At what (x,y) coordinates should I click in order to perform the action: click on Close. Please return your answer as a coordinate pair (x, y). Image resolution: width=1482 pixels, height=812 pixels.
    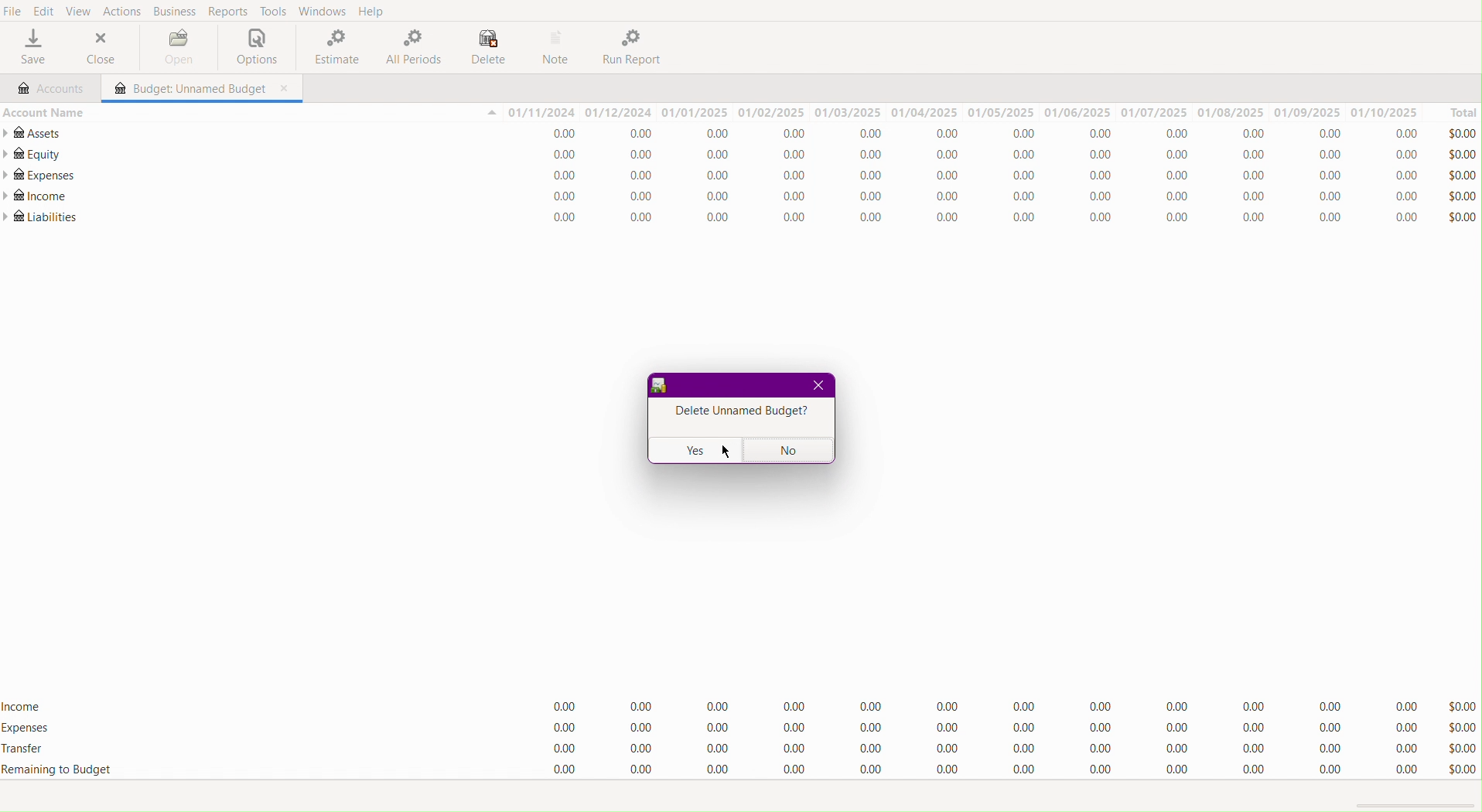
    Looking at the image, I should click on (102, 49).